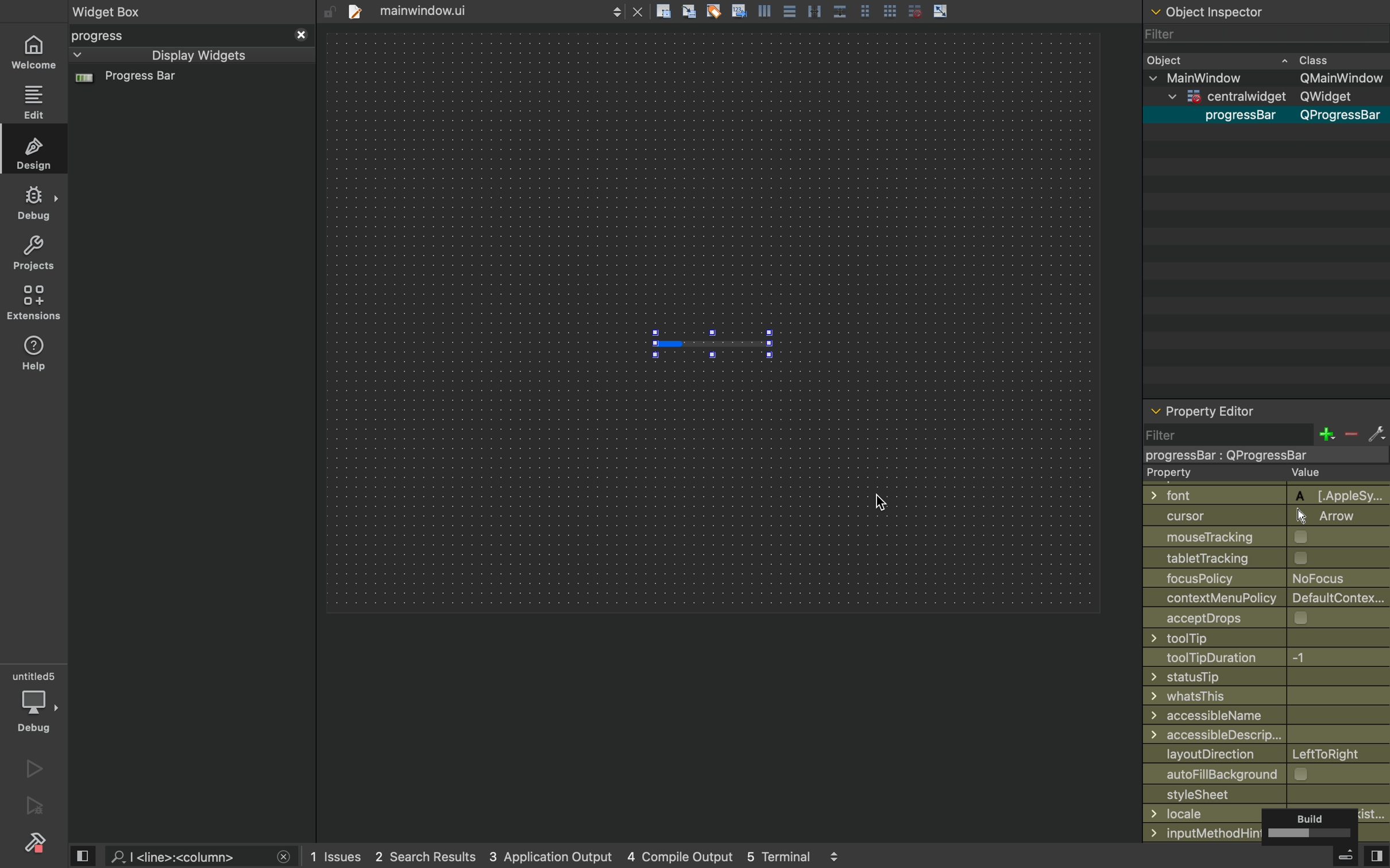 Image resolution: width=1390 pixels, height=868 pixels. I want to click on inputmethodhints, so click(1265, 831).